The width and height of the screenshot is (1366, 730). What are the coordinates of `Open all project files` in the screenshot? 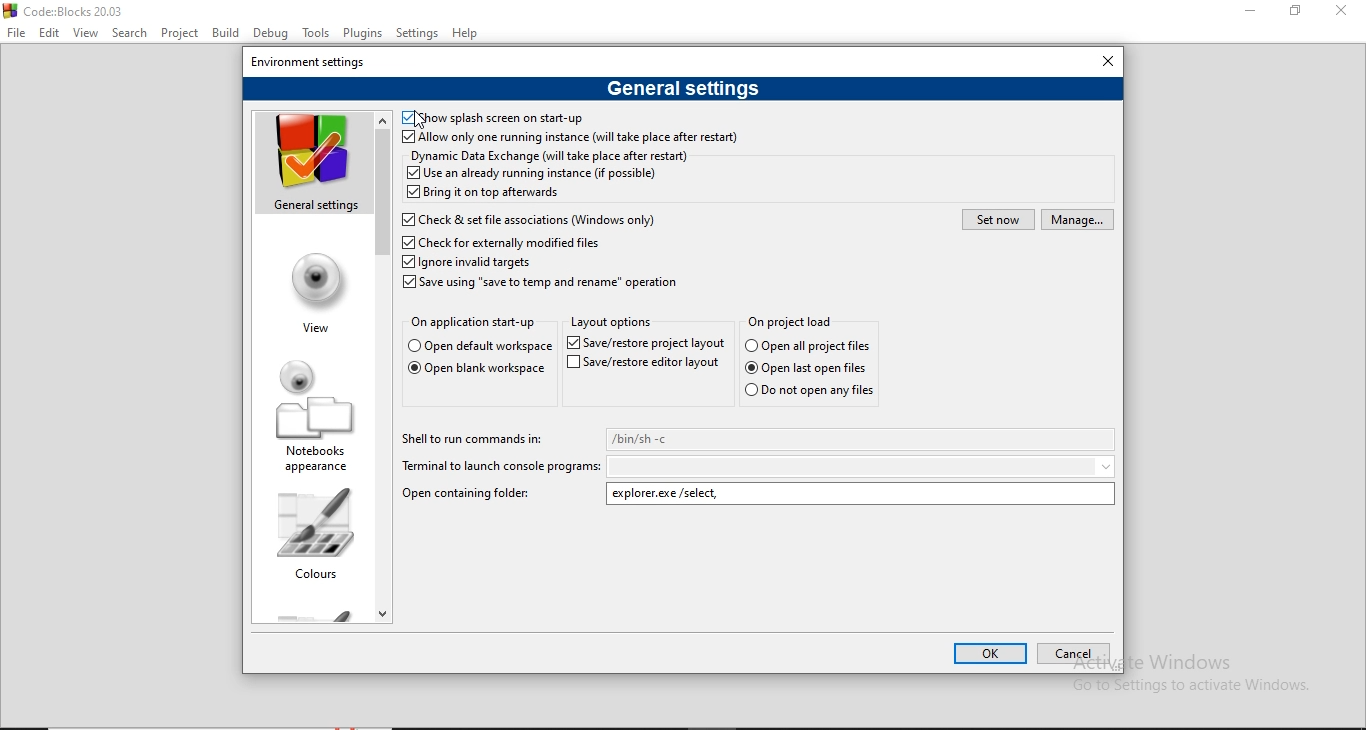 It's located at (797, 320).